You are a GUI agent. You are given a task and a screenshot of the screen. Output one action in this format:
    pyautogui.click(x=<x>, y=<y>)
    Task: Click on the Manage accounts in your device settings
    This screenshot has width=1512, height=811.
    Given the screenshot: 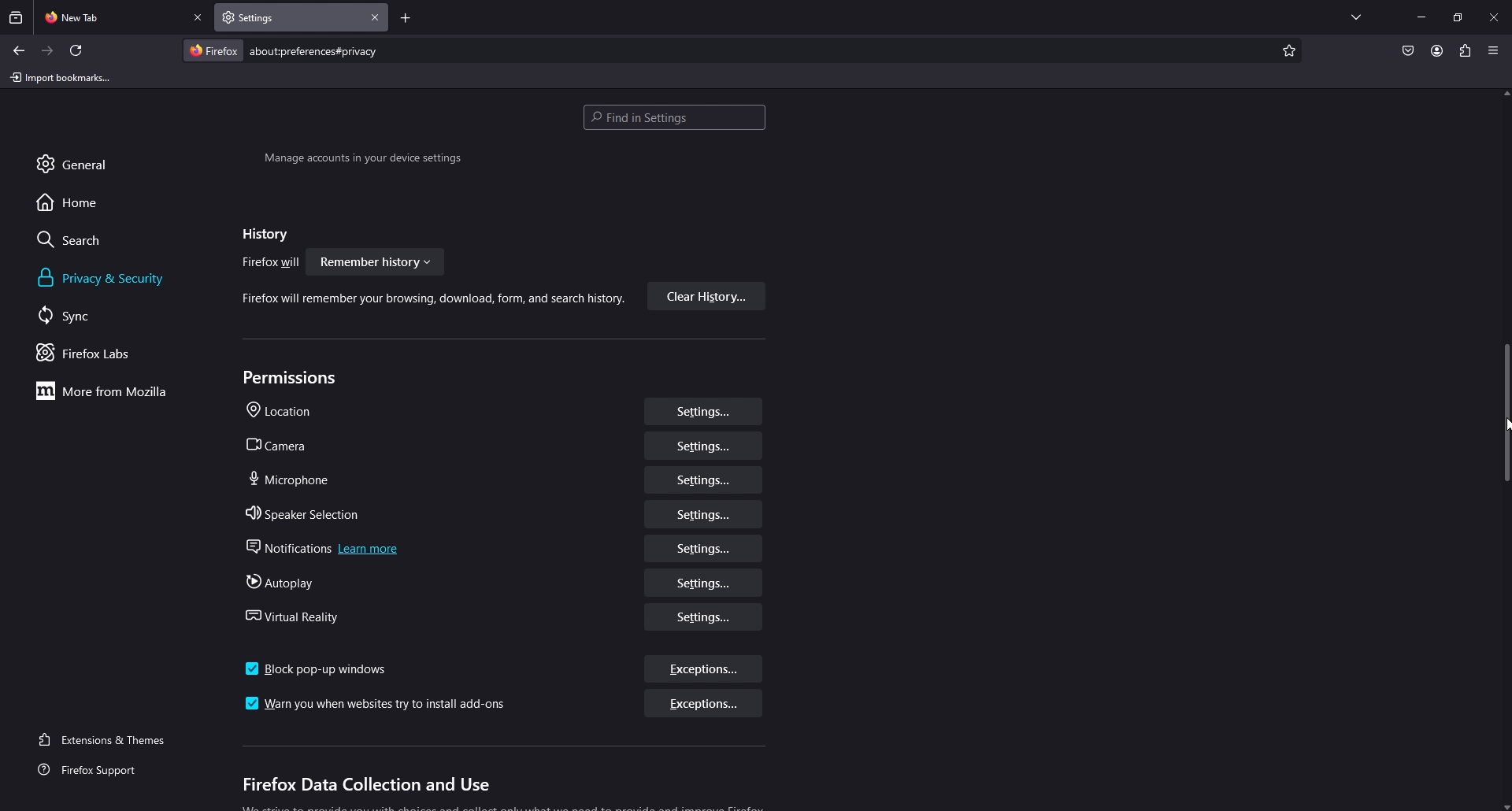 What is the action you would take?
    pyautogui.click(x=362, y=161)
    